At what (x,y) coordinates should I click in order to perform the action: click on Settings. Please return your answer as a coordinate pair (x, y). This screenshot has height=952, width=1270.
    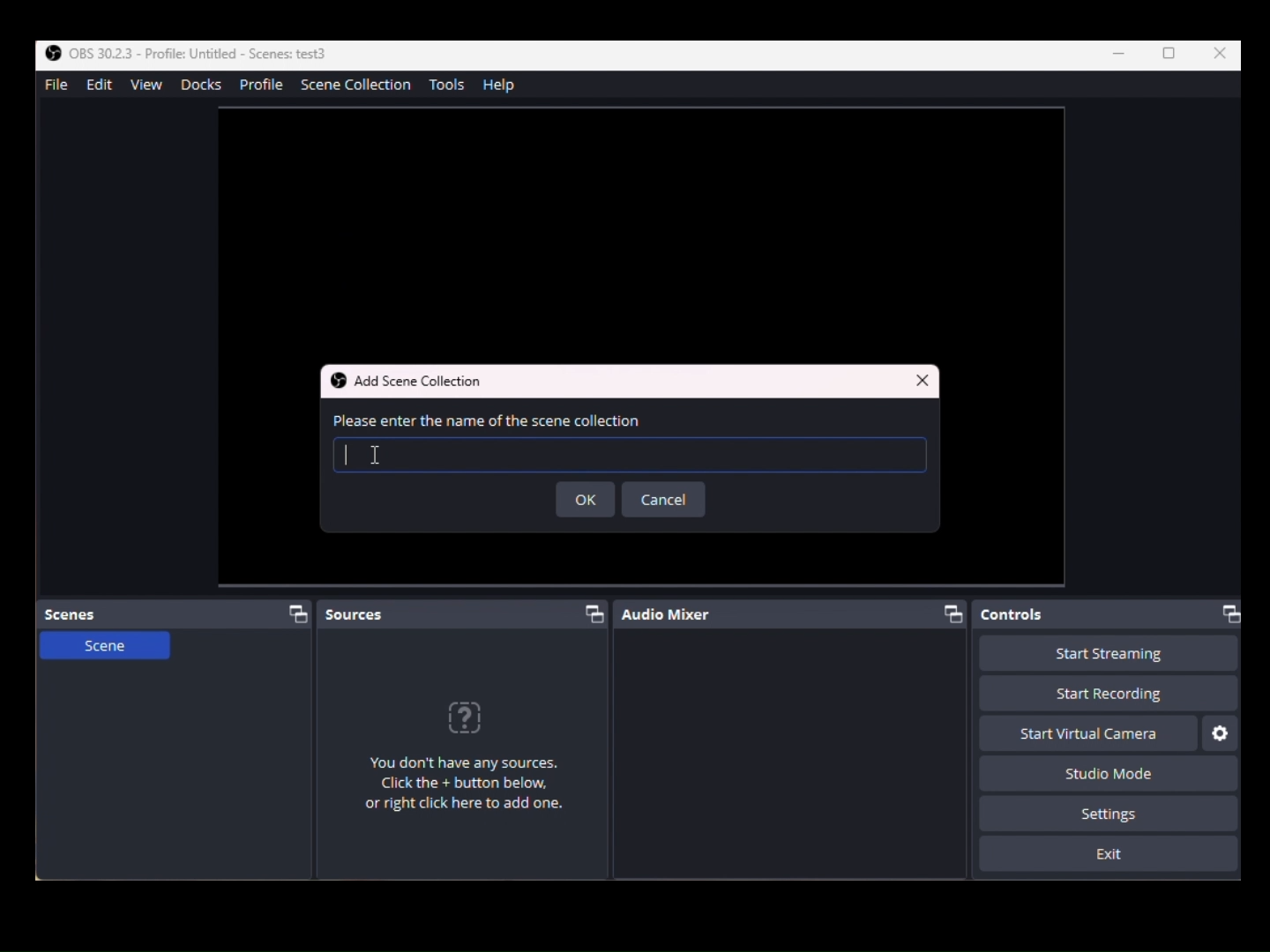
    Looking at the image, I should click on (1109, 814).